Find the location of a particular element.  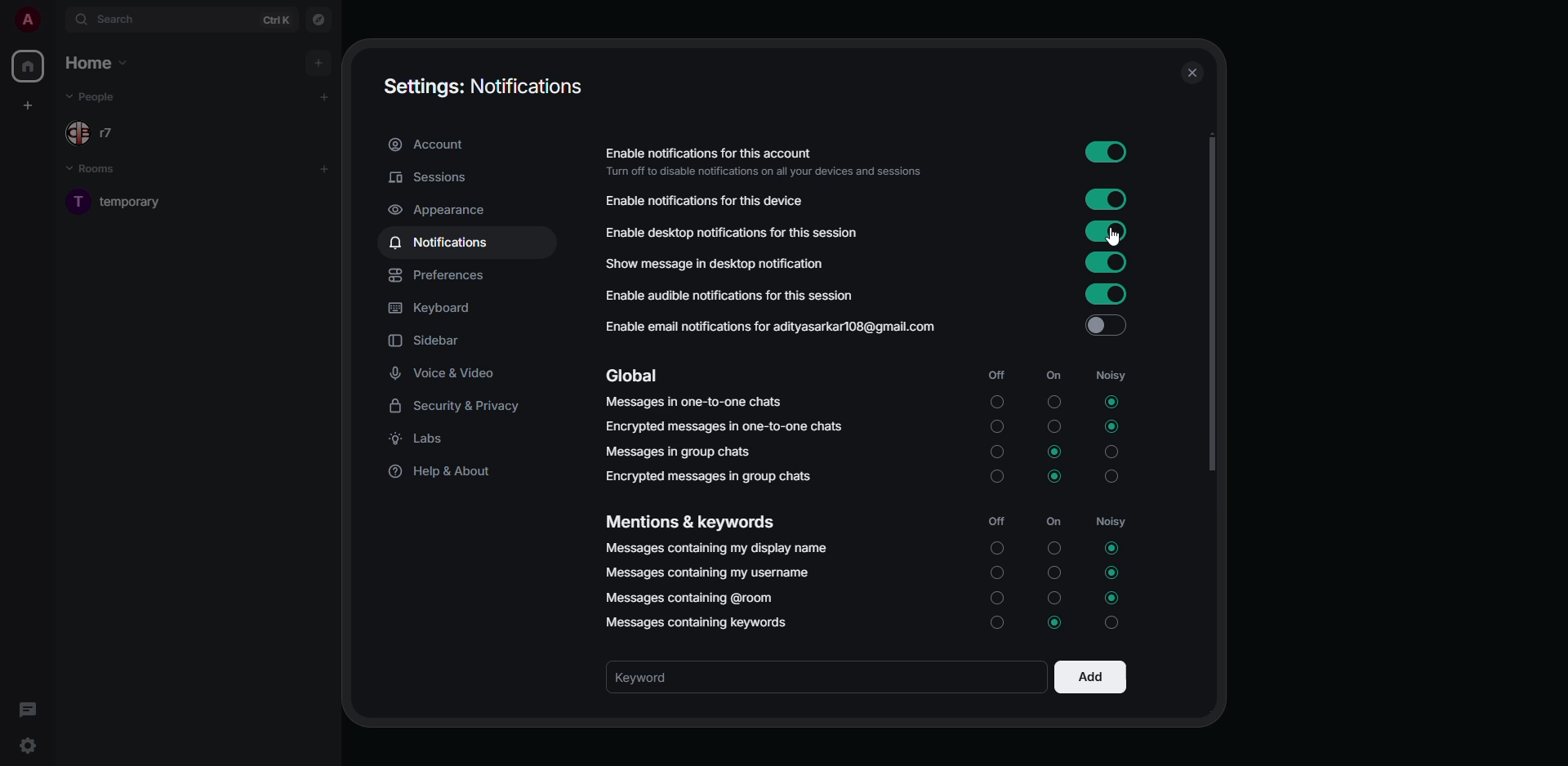

keyword is located at coordinates (657, 677).